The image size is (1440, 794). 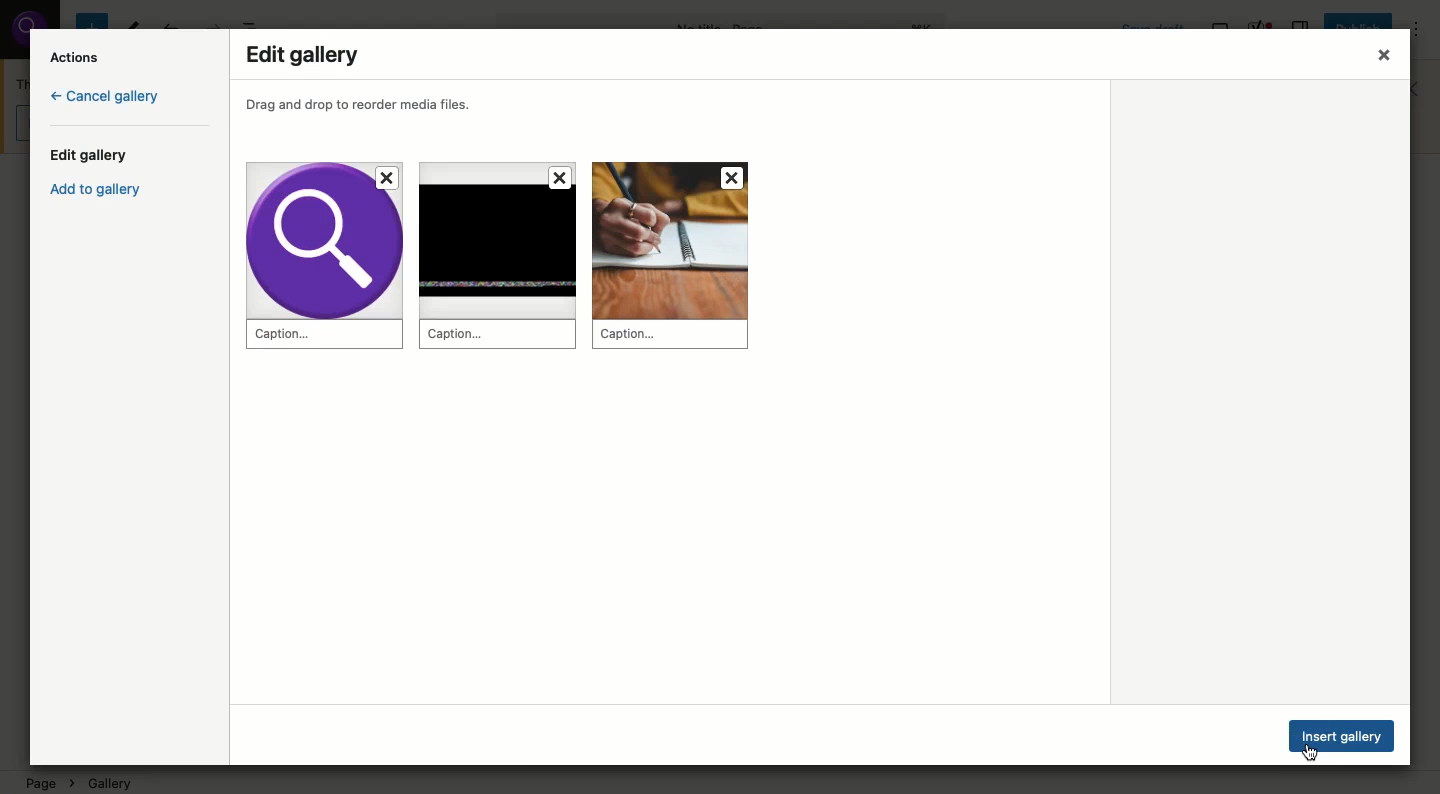 What do you see at coordinates (77, 57) in the screenshot?
I see `Actions` at bounding box center [77, 57].